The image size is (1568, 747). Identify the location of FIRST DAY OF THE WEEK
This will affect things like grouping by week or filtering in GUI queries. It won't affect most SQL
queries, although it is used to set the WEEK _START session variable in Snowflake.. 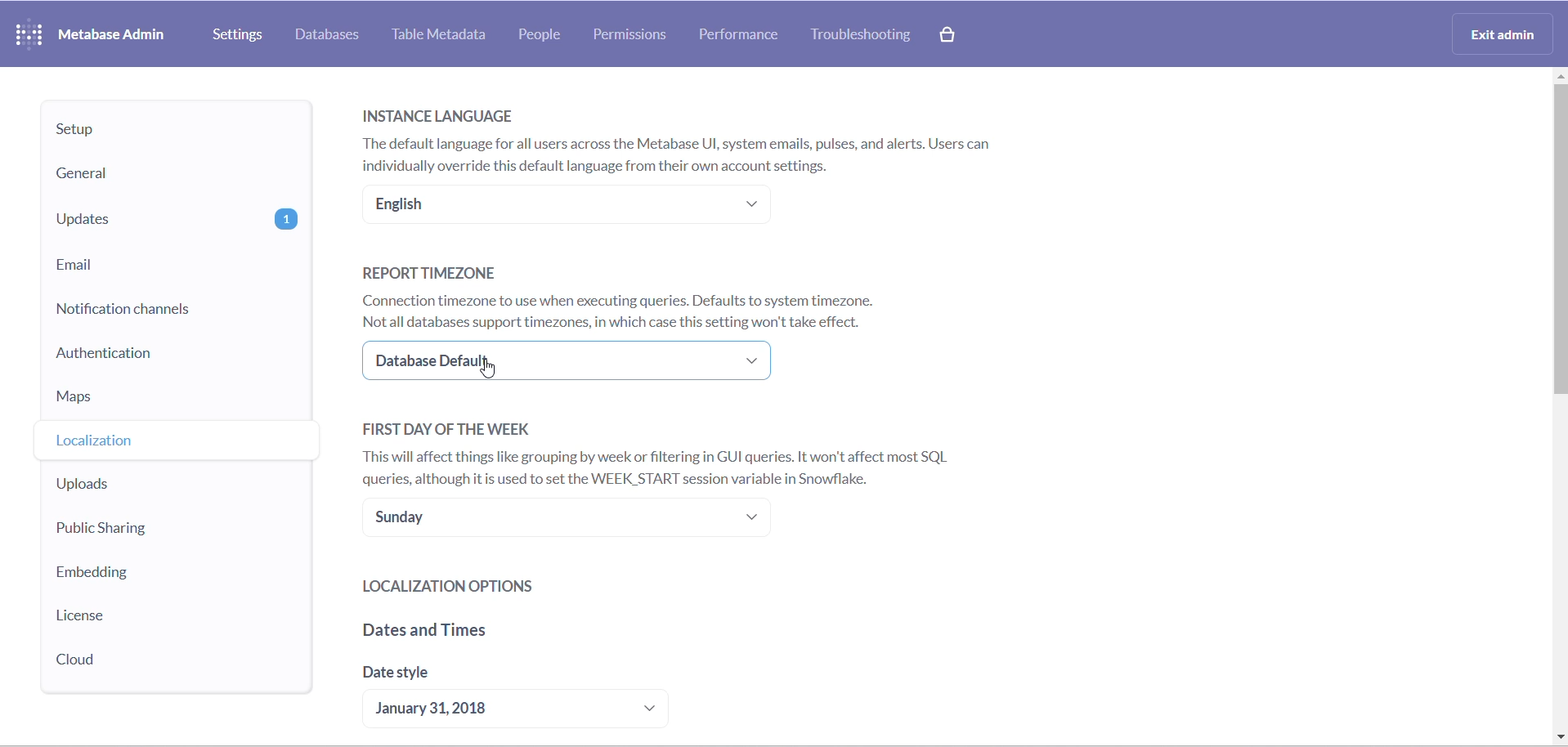
(668, 452).